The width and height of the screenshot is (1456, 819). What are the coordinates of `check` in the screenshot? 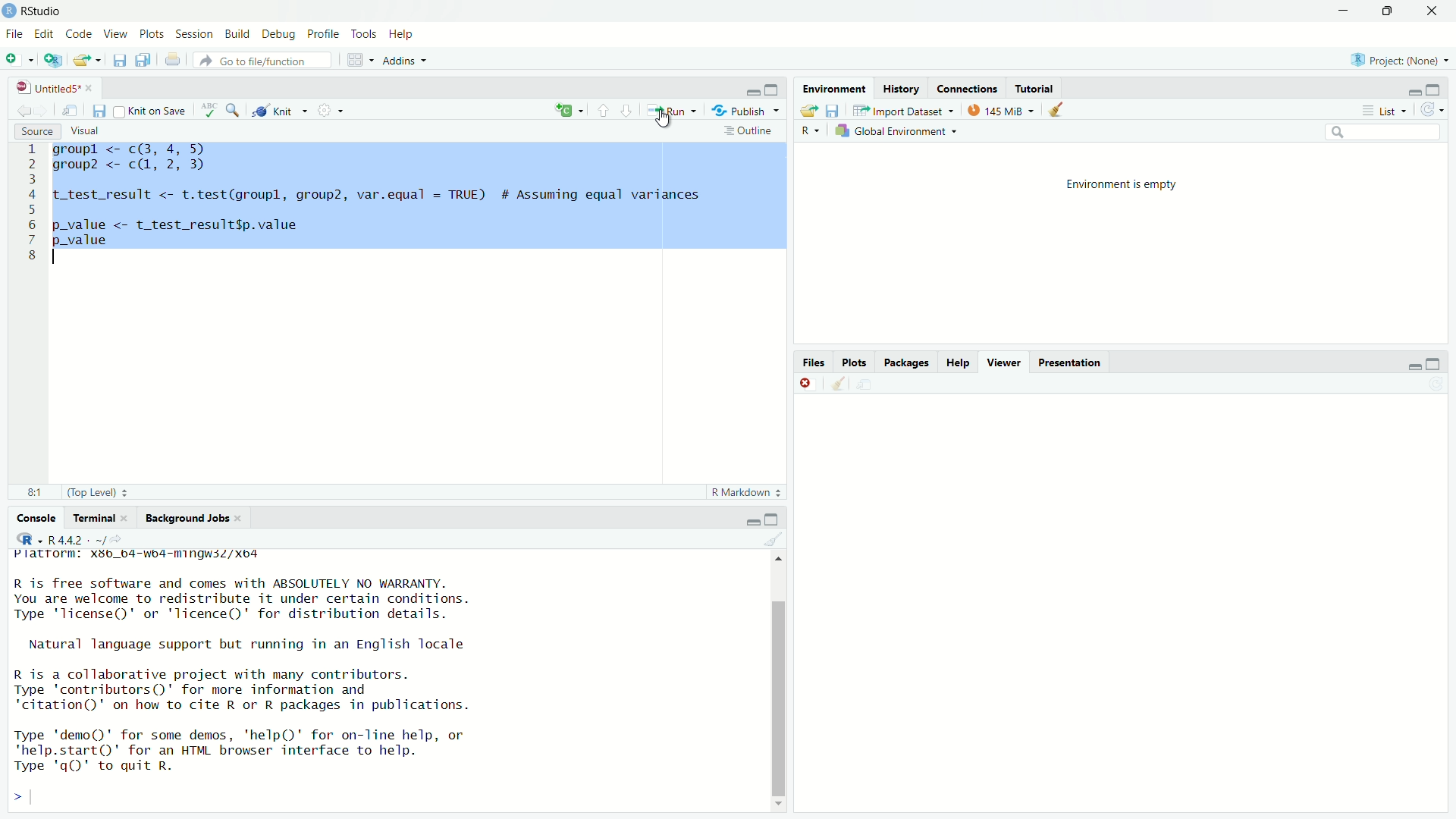 It's located at (211, 108).